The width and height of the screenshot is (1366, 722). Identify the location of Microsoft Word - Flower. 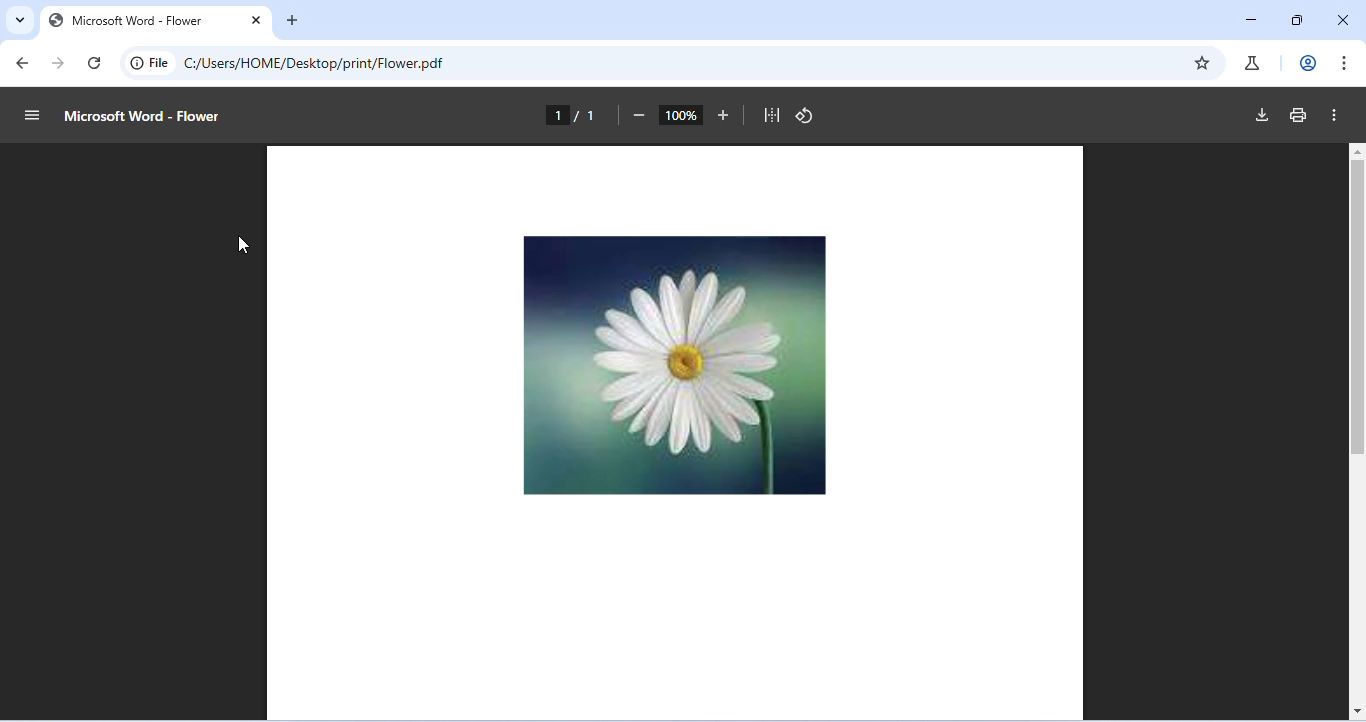
(138, 21).